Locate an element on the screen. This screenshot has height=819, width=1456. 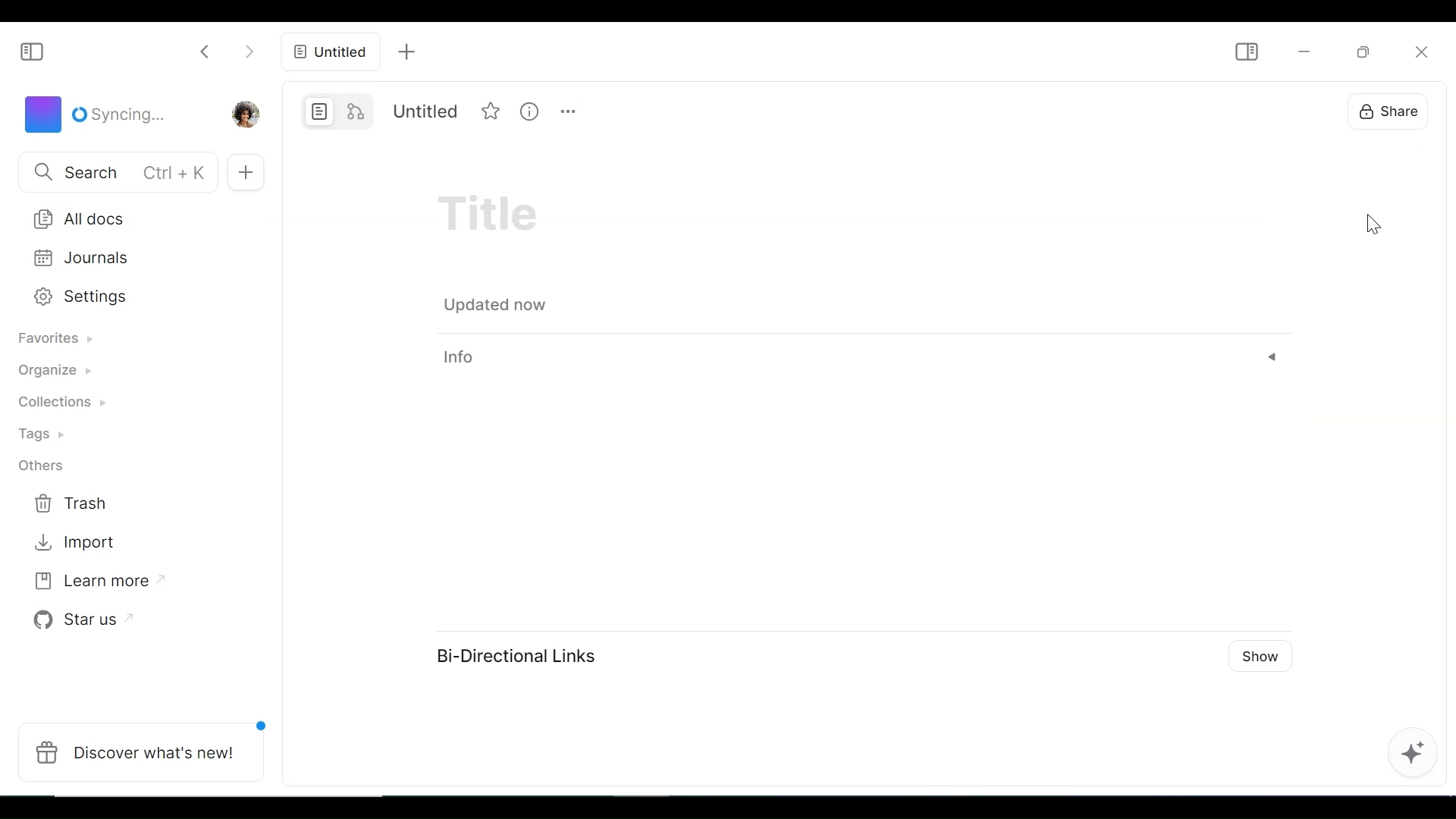
Settings is located at coordinates (128, 297).